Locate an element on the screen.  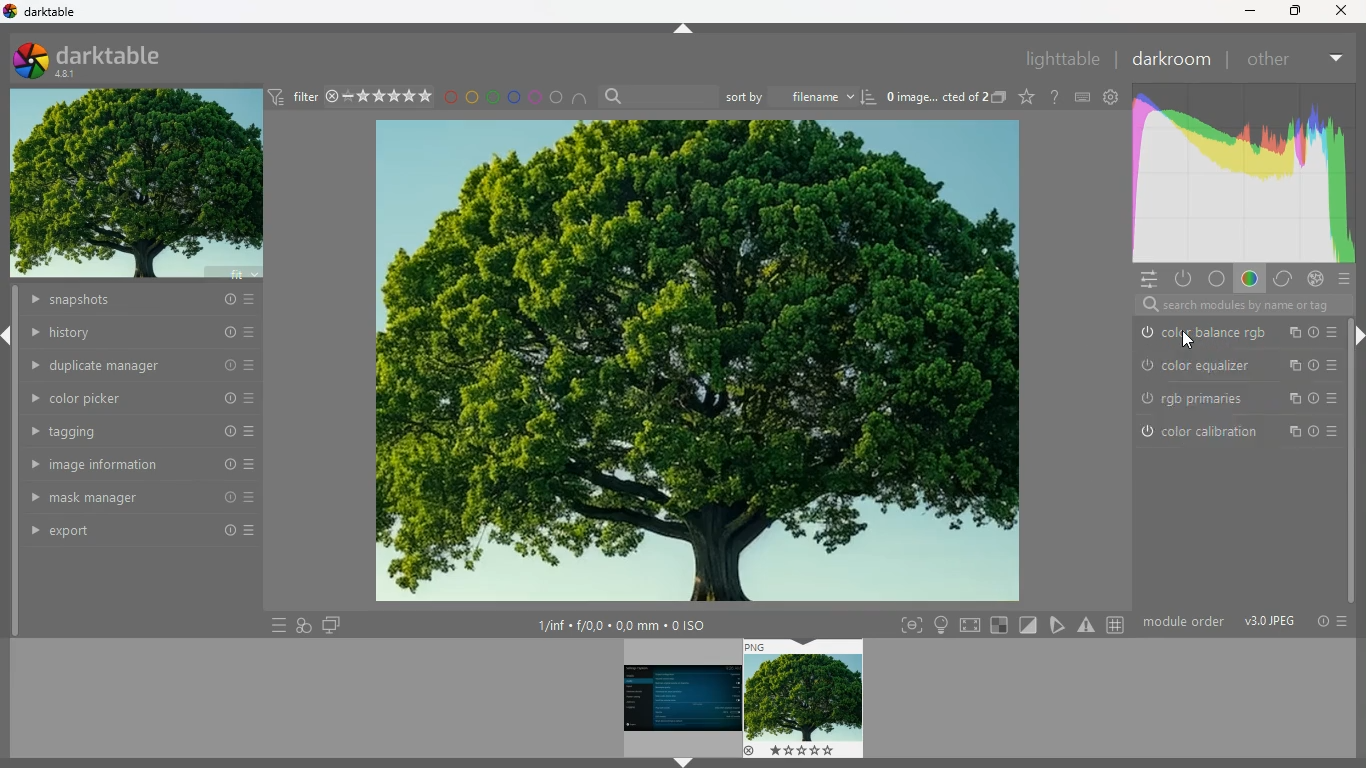
image description is located at coordinates (944, 99).